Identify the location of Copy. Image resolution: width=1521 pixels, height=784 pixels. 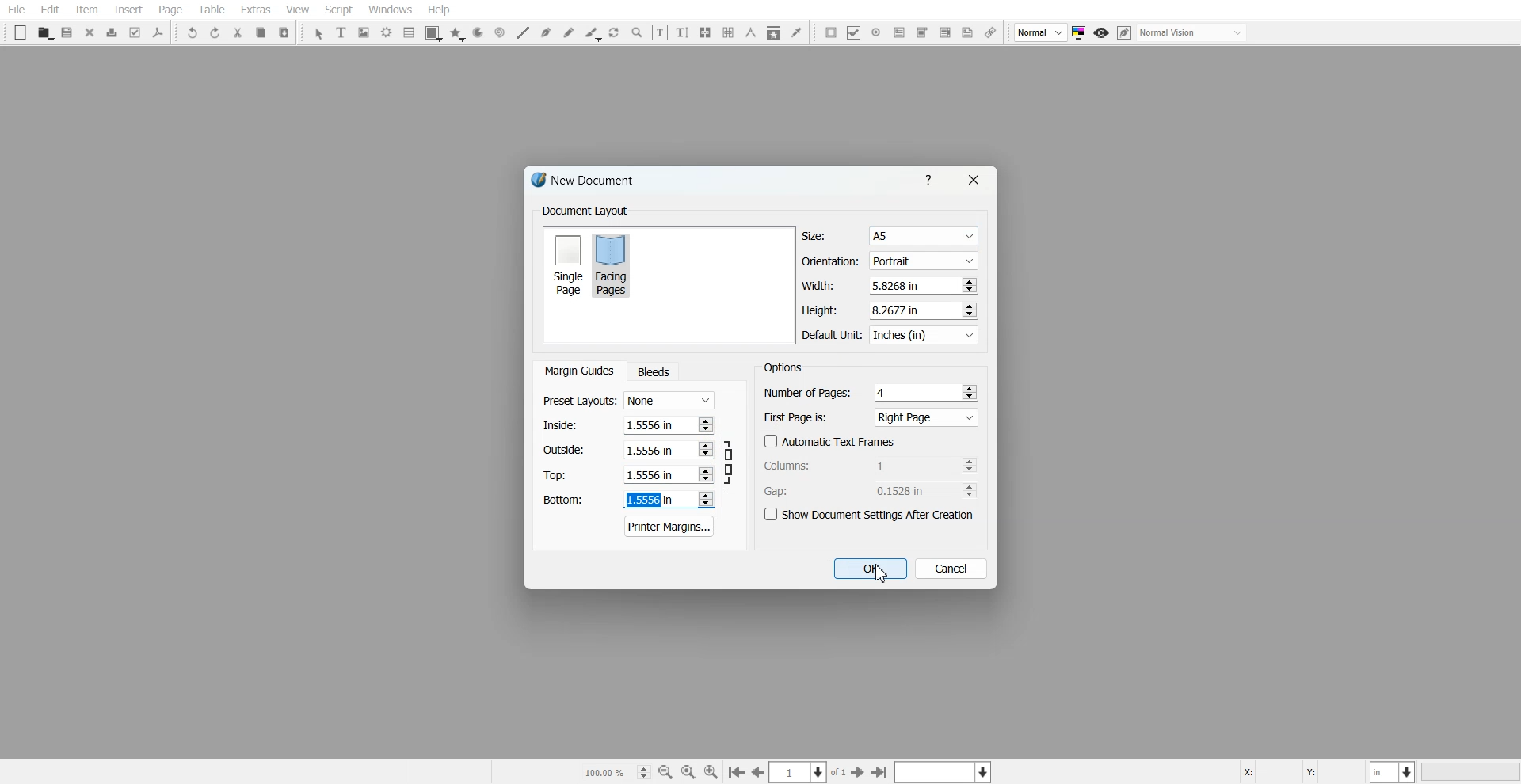
(260, 32).